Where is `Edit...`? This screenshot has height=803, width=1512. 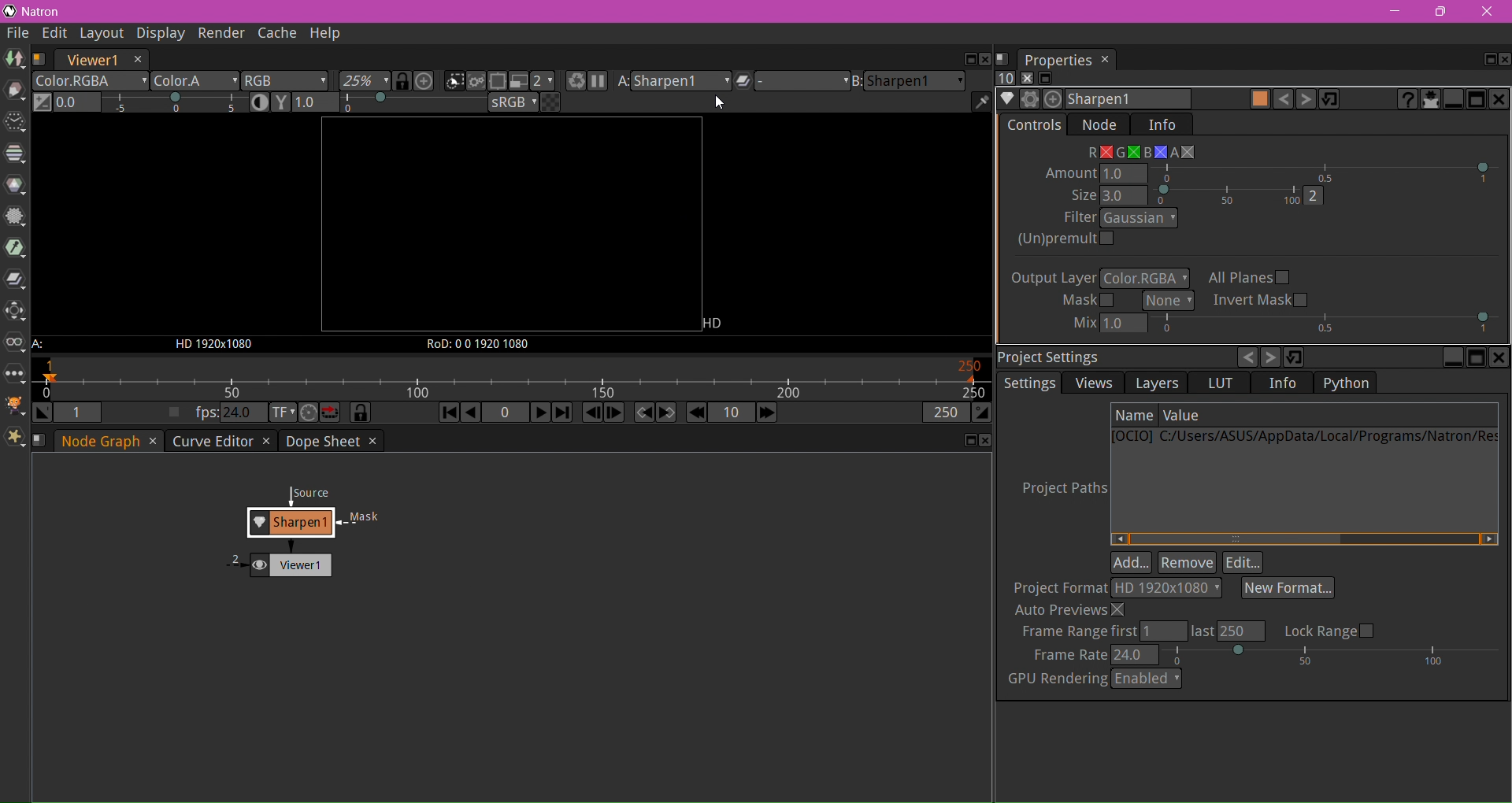 Edit... is located at coordinates (1243, 563).